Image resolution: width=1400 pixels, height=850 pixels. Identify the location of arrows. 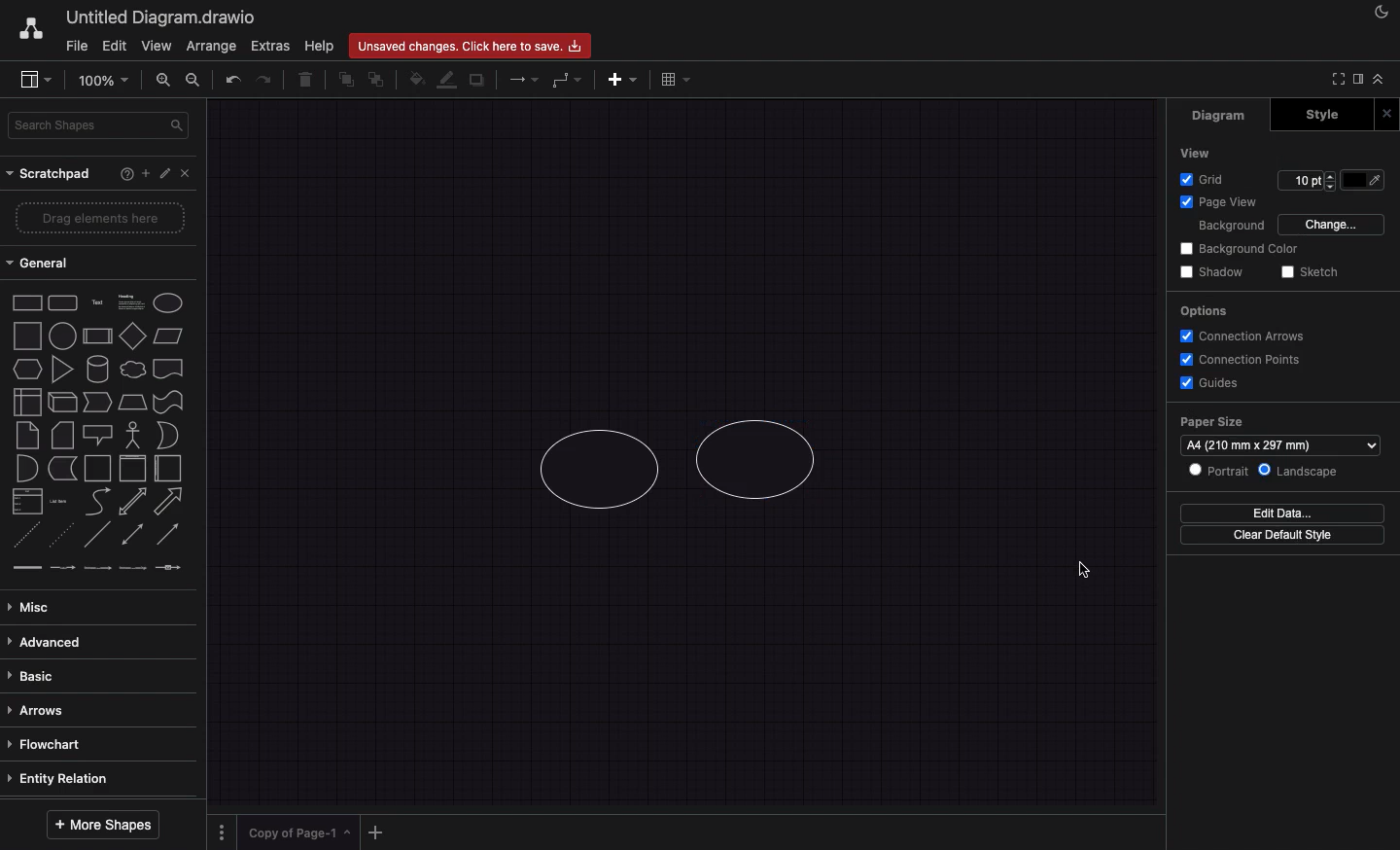
(92, 710).